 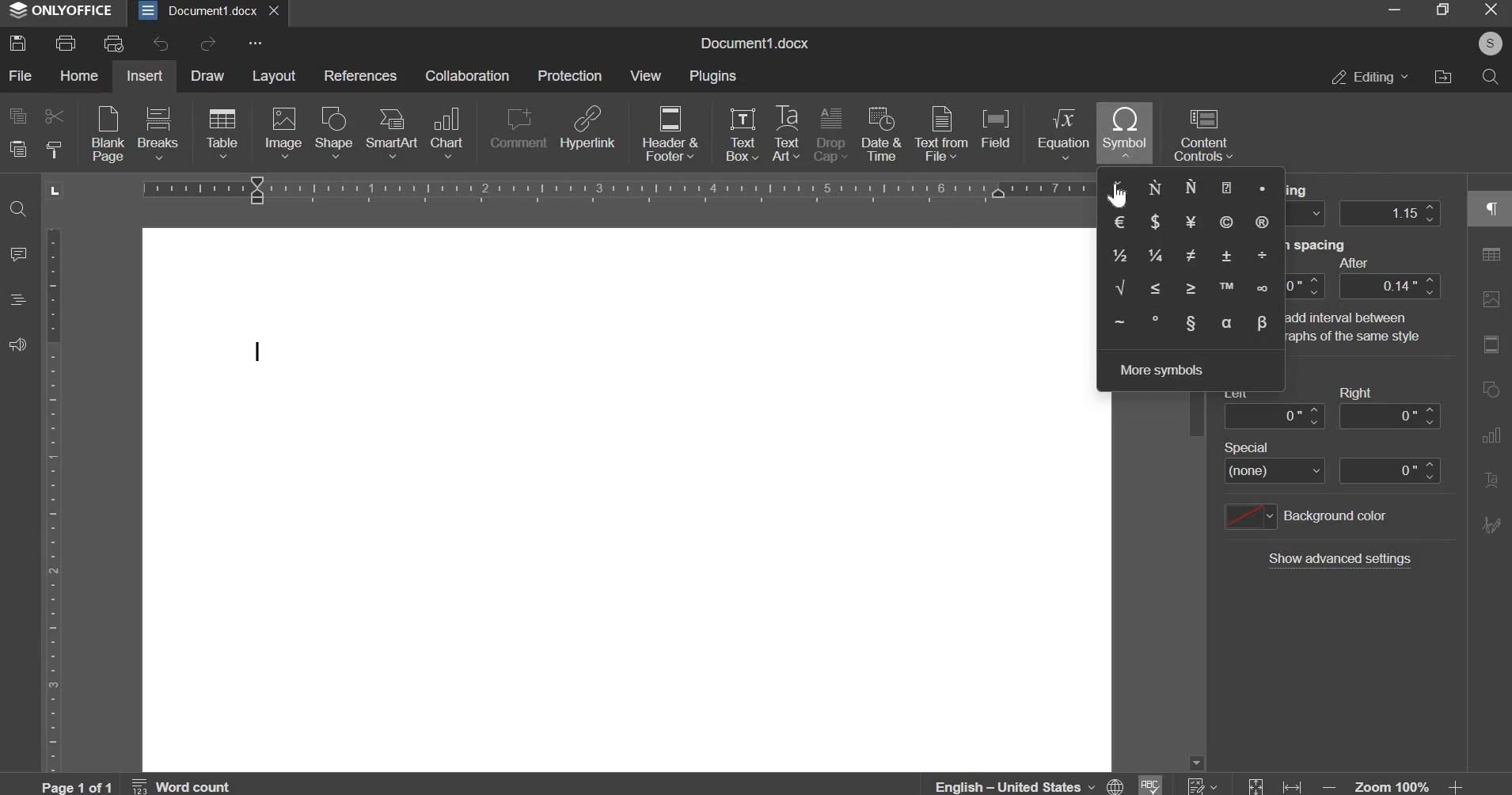 I want to click on hyperlink, so click(x=588, y=126).